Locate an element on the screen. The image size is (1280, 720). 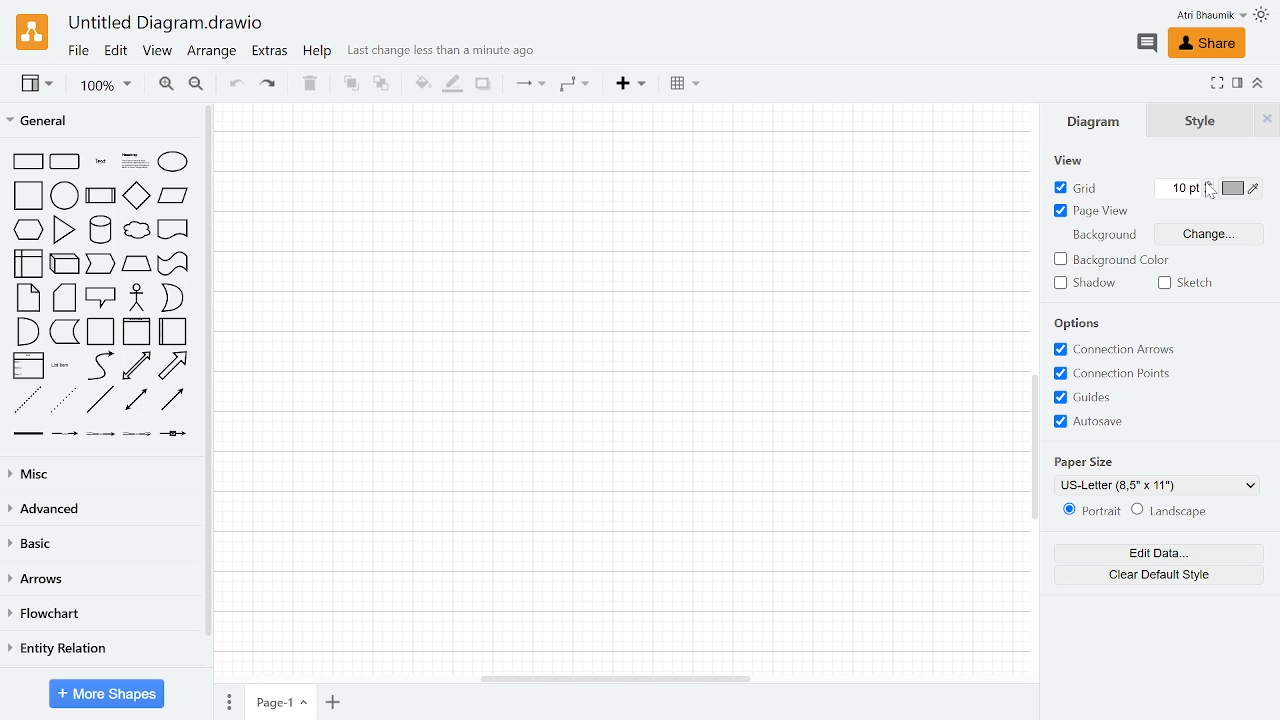
Misc is located at coordinates (102, 473).